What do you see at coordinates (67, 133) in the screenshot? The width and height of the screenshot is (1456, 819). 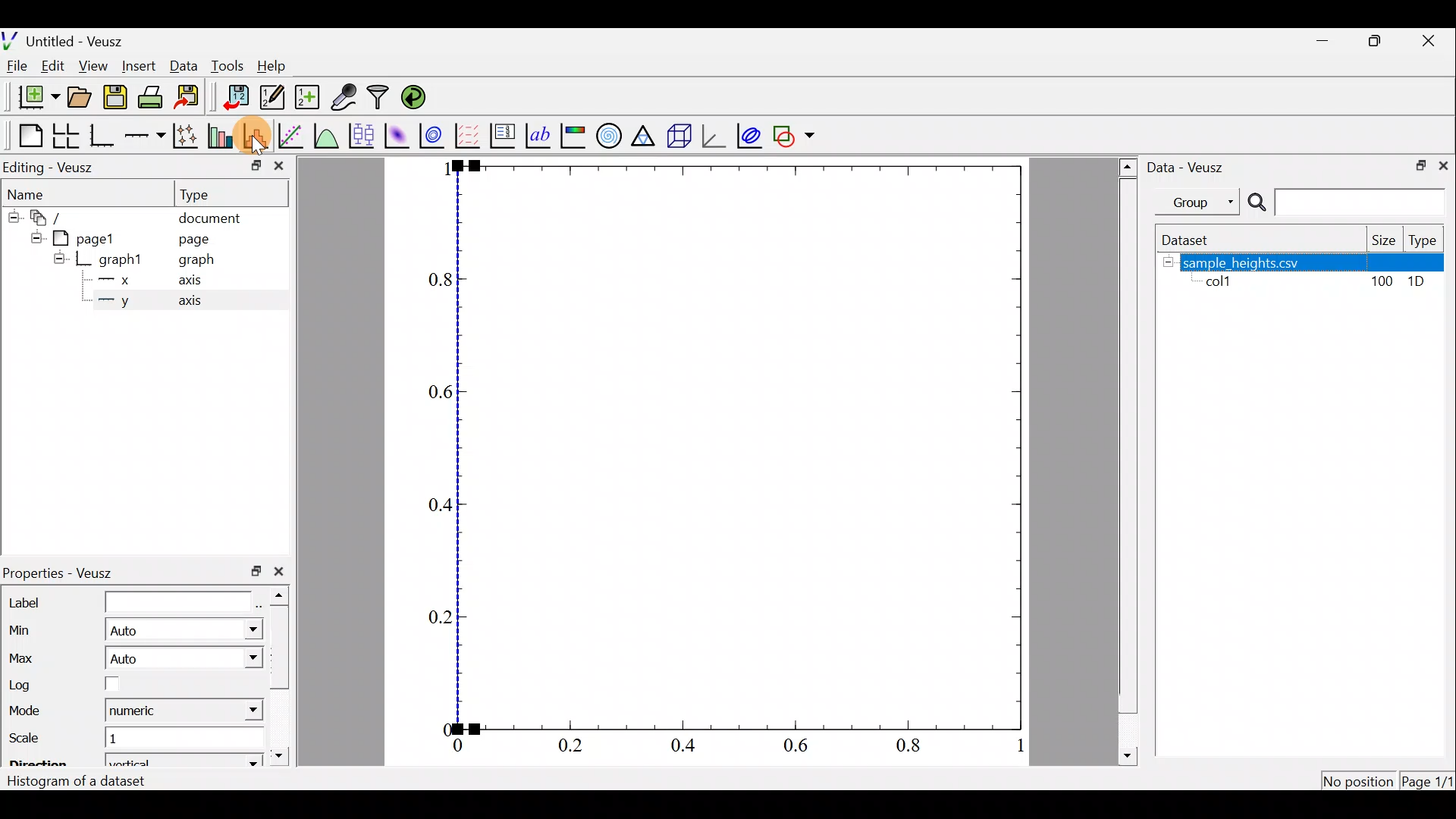 I see `arrange graphs in a grid` at bounding box center [67, 133].